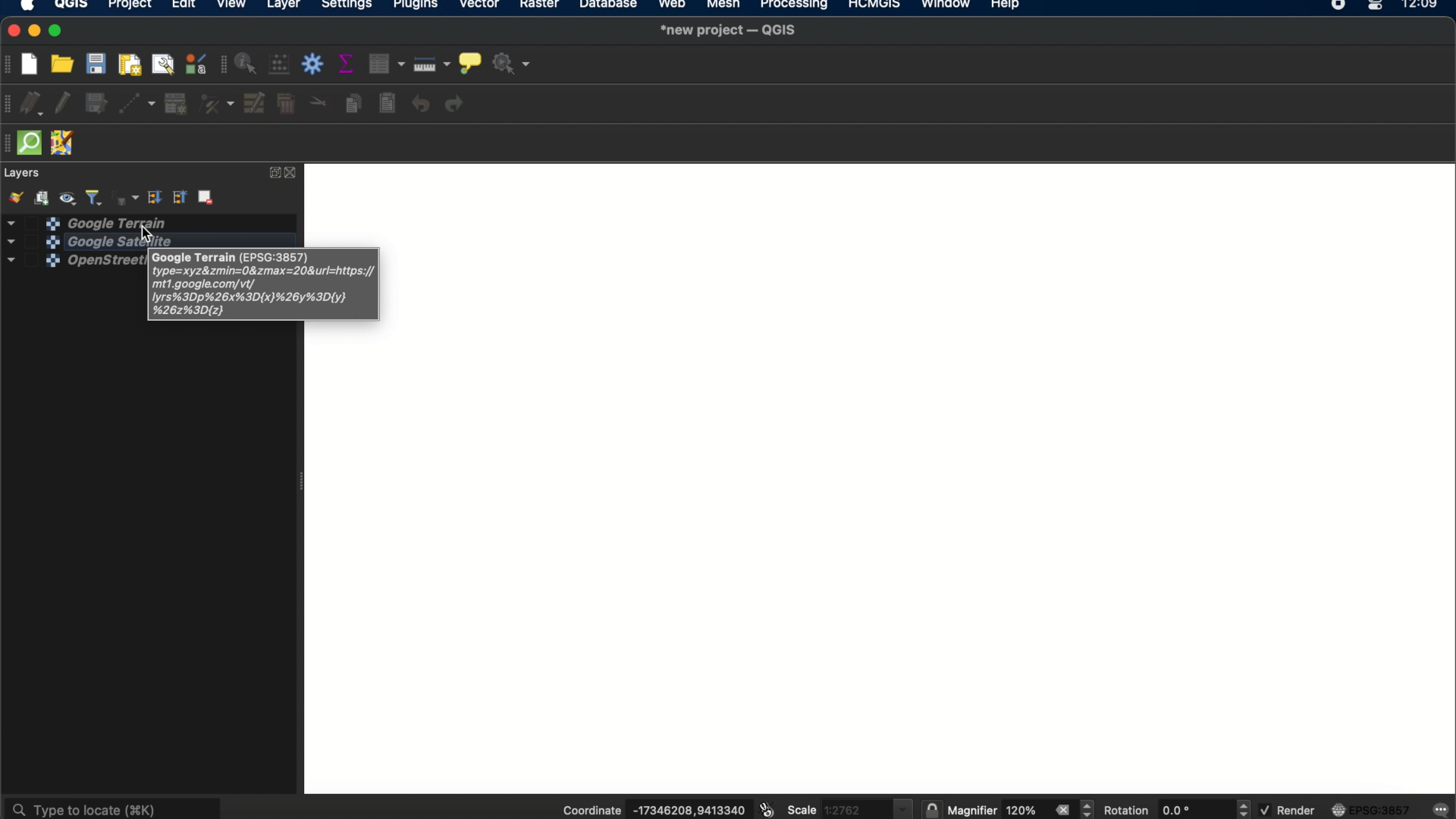 The image size is (1456, 819). What do you see at coordinates (72, 242) in the screenshot?
I see `google satellite` at bounding box center [72, 242].